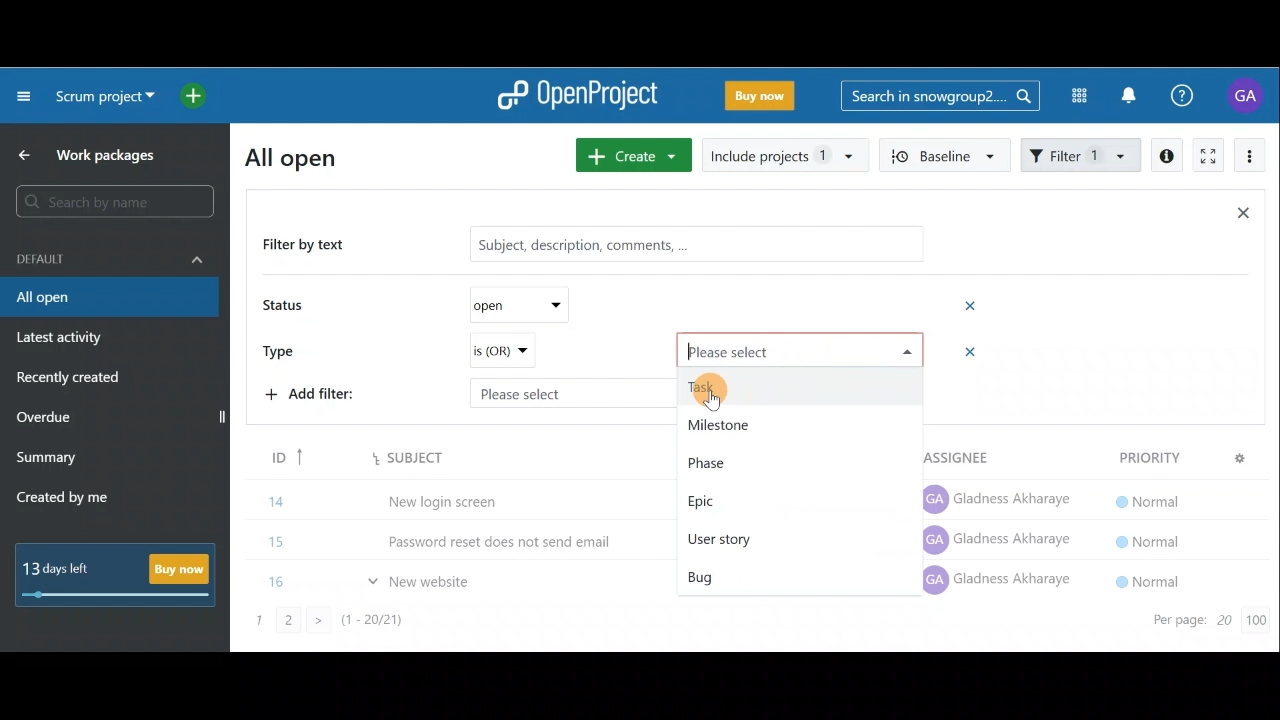 The image size is (1280, 720). Describe the element at coordinates (764, 99) in the screenshot. I see `Buy now` at that location.